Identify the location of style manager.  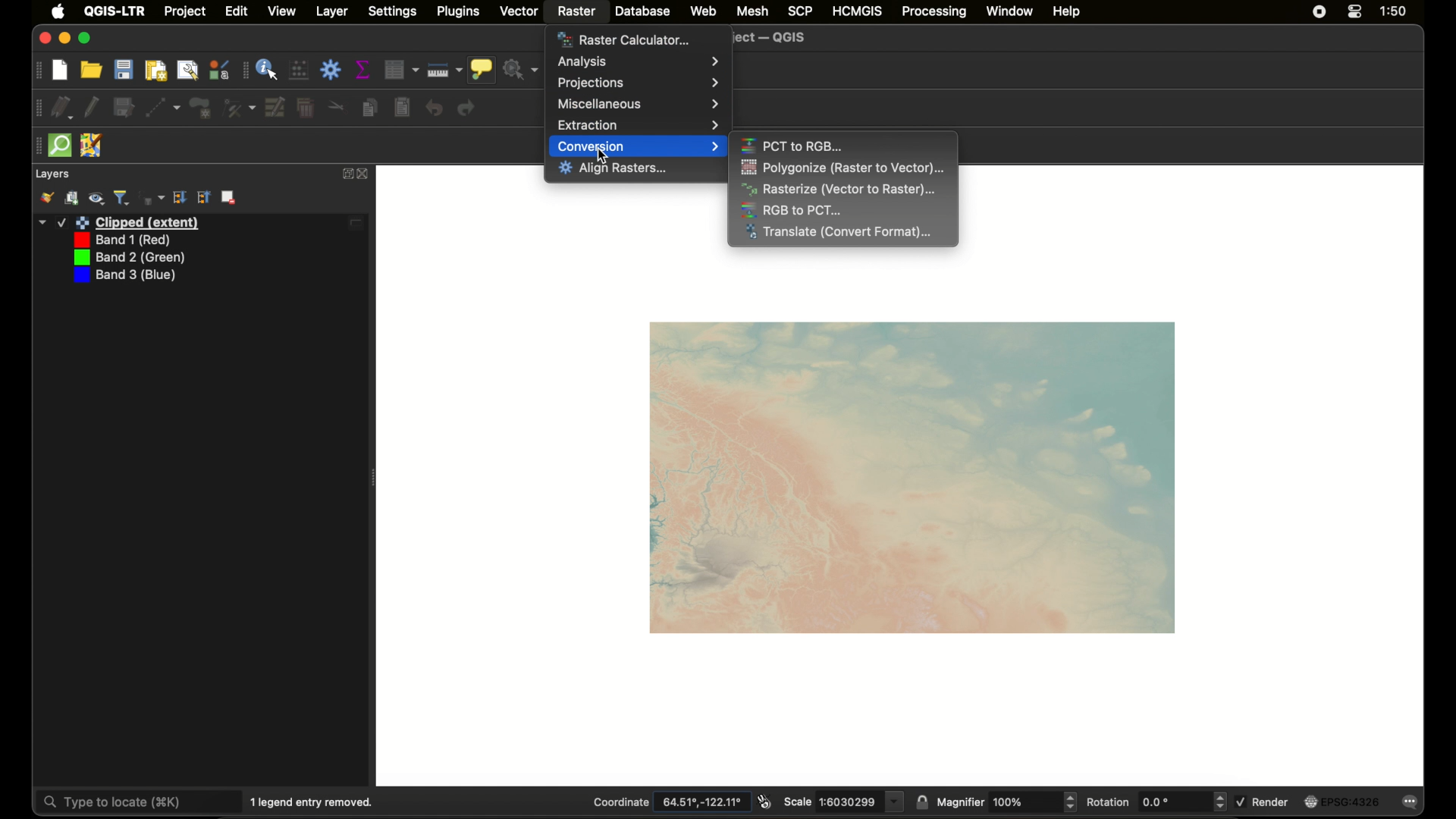
(220, 70).